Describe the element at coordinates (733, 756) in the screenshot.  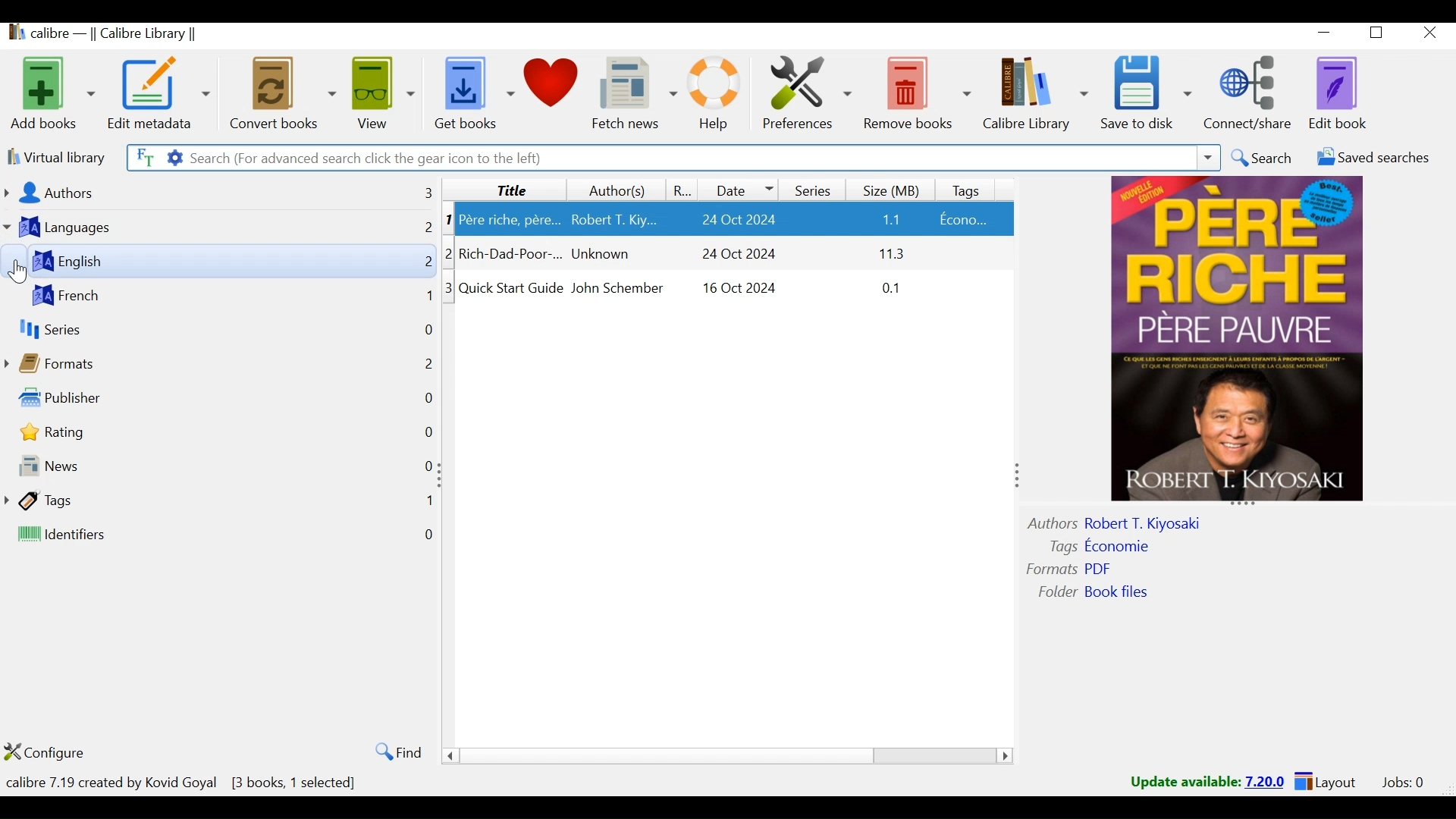
I see `scrollbar` at that location.